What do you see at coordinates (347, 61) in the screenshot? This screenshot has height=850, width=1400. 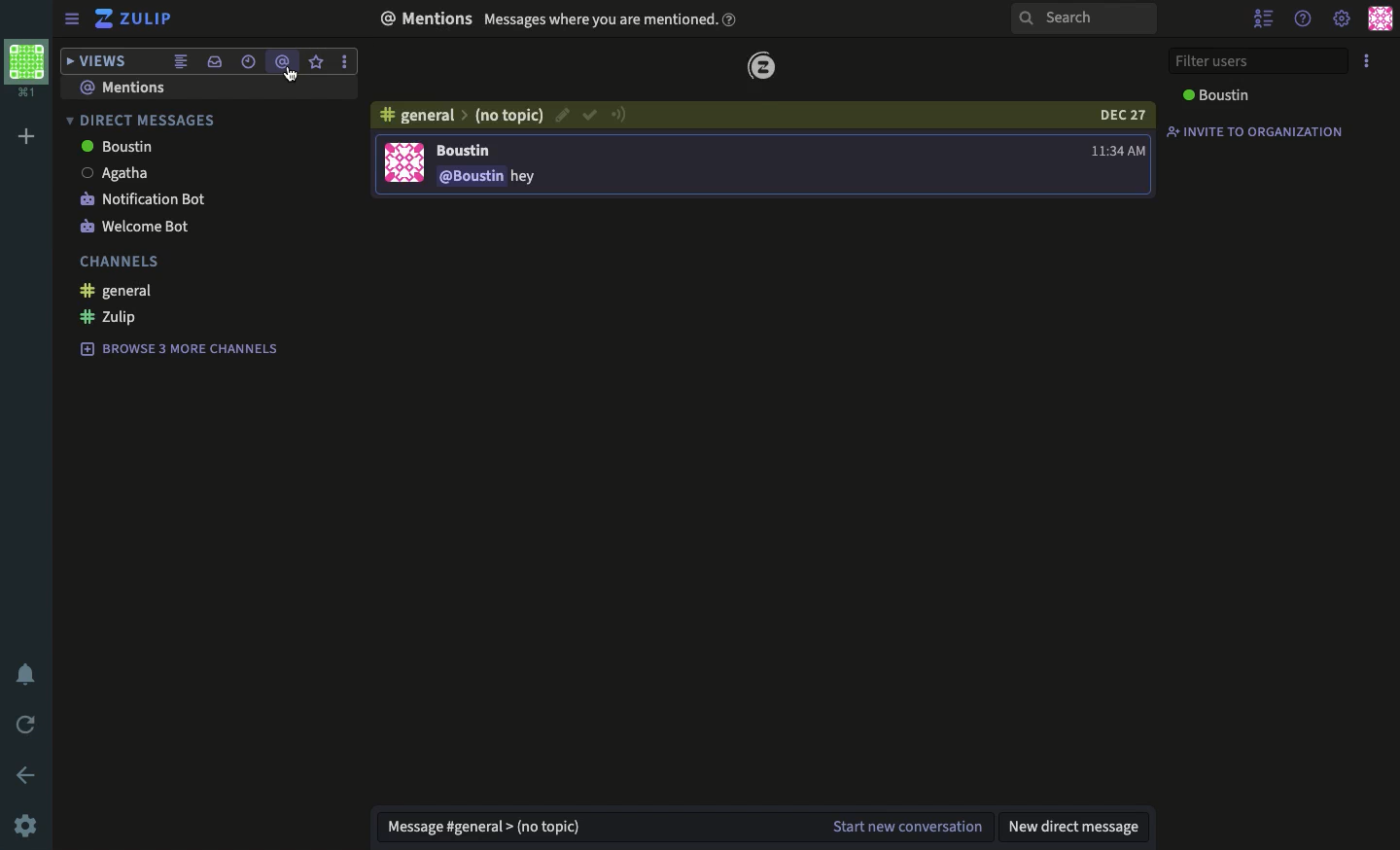 I see `options` at bounding box center [347, 61].